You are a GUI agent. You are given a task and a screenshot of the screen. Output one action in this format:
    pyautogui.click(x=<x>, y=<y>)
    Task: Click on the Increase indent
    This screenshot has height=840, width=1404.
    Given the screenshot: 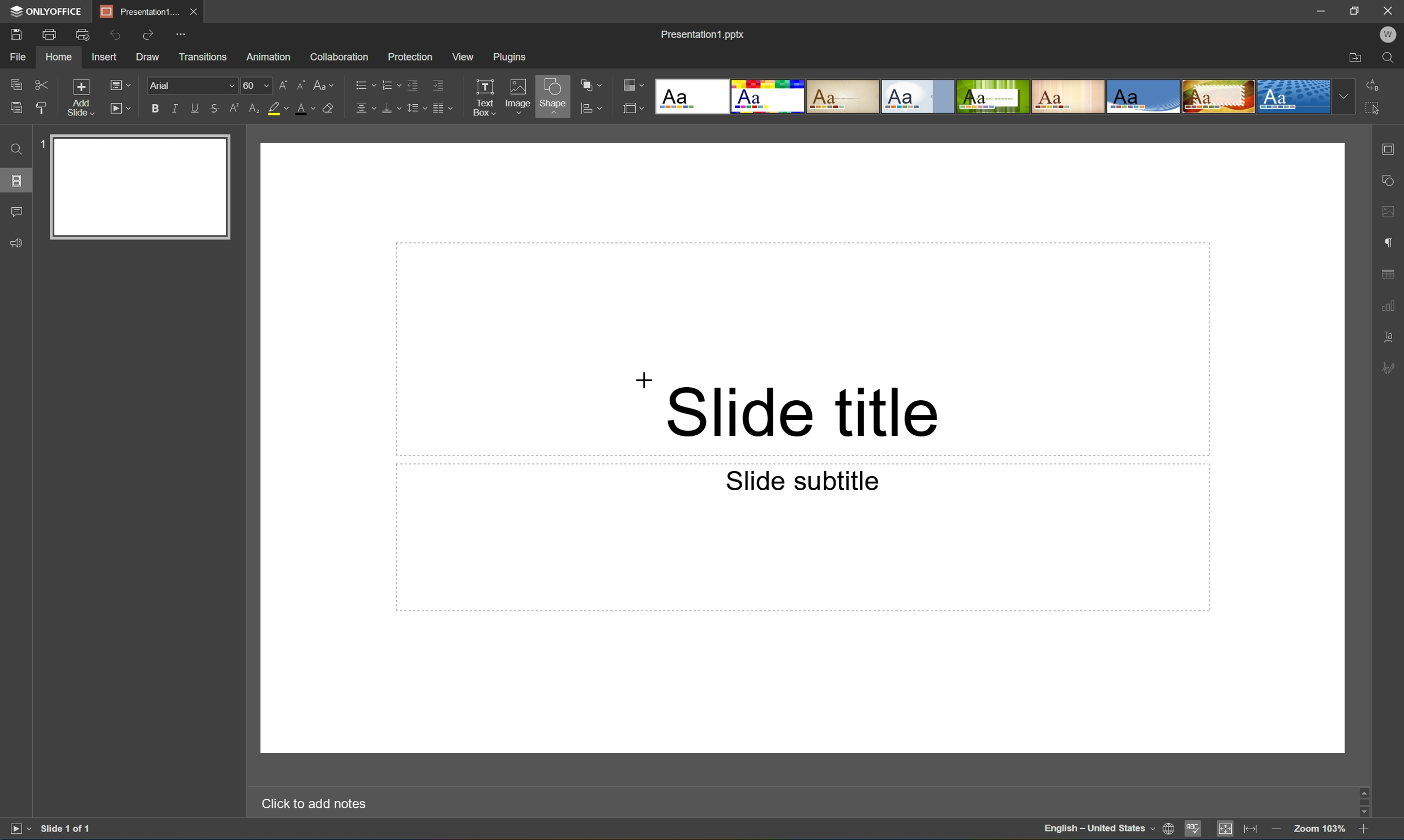 What is the action you would take?
    pyautogui.click(x=440, y=83)
    